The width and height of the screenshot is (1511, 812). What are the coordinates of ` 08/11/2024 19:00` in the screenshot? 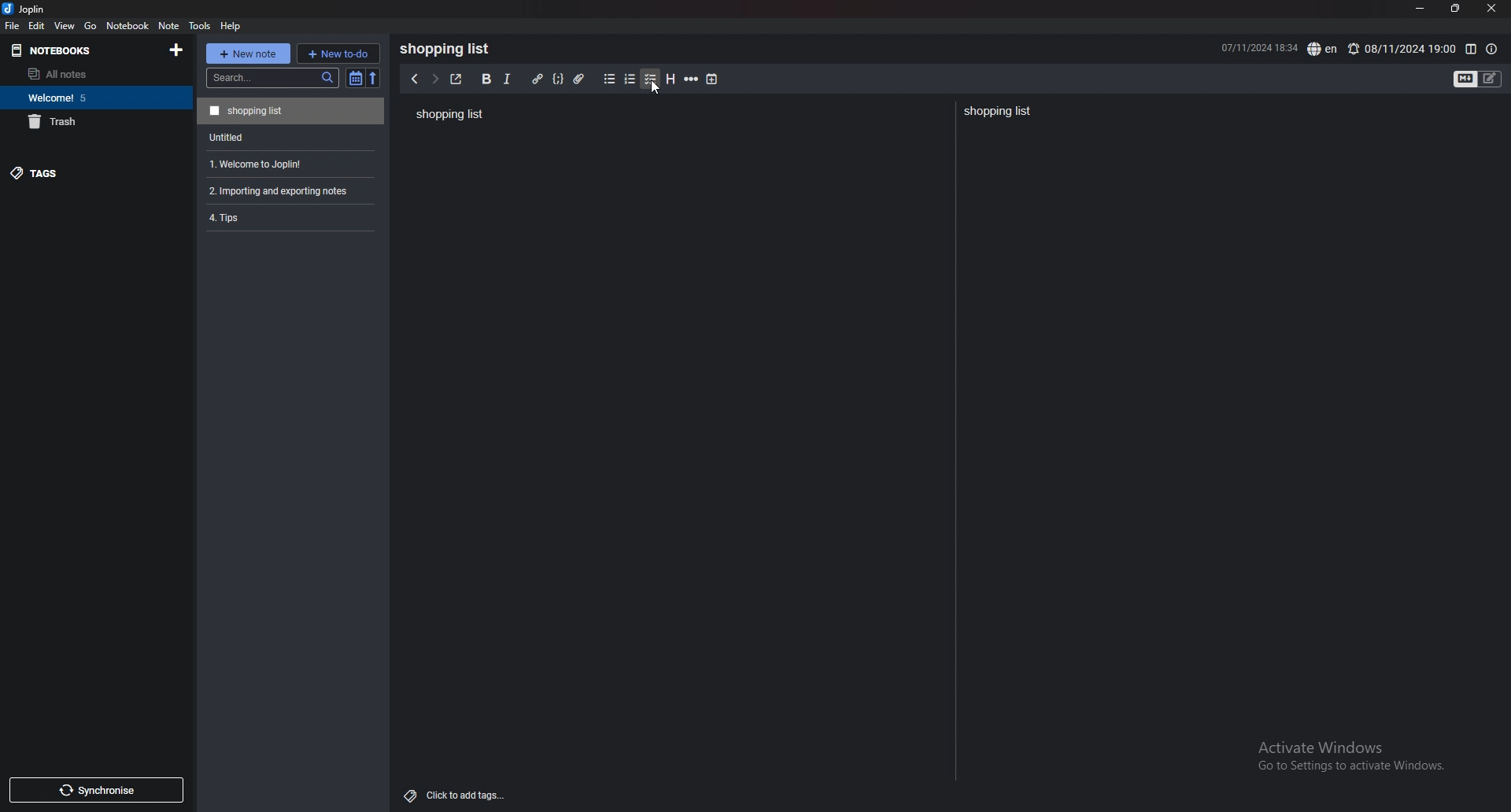 It's located at (1401, 49).